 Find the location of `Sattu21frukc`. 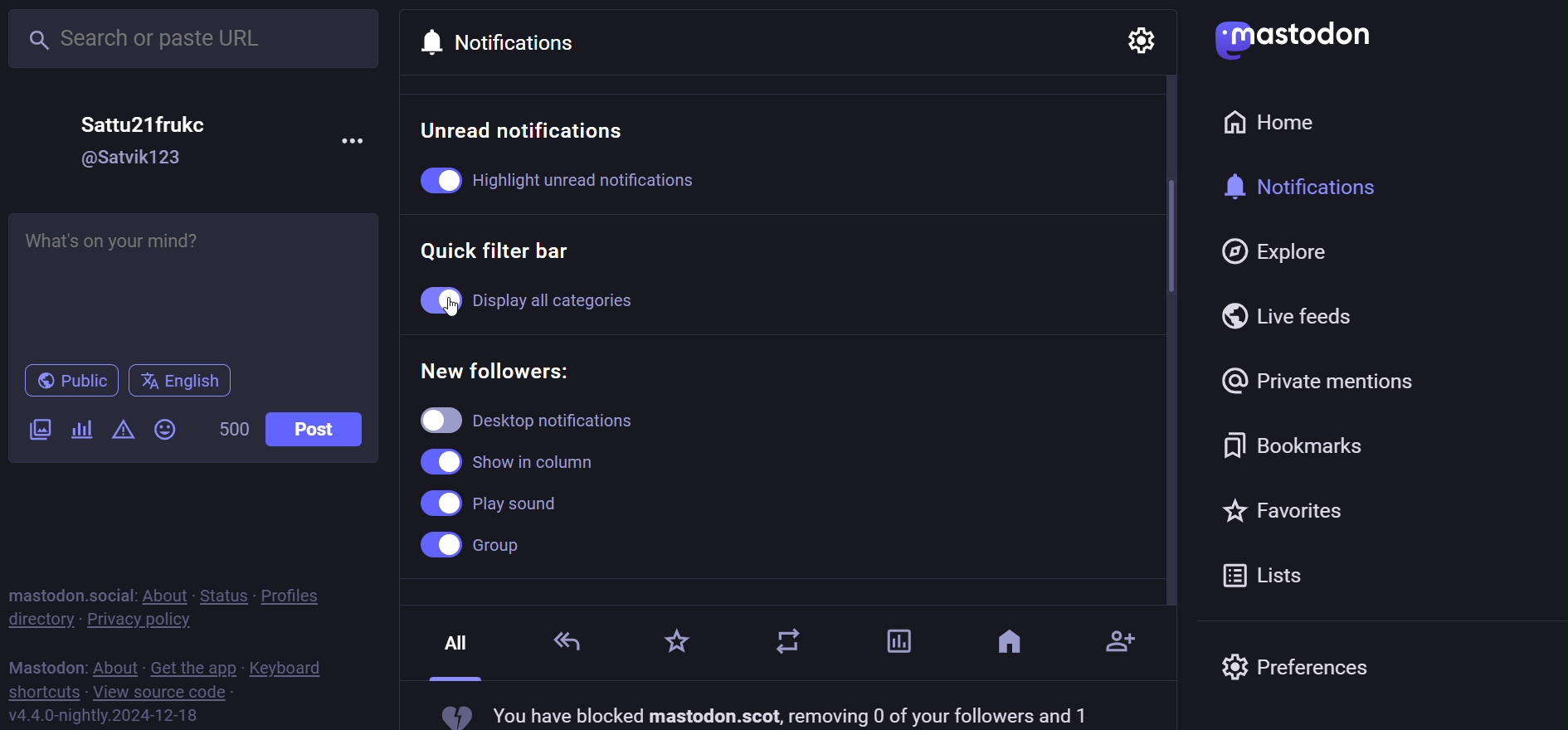

Sattu21frukc is located at coordinates (144, 123).